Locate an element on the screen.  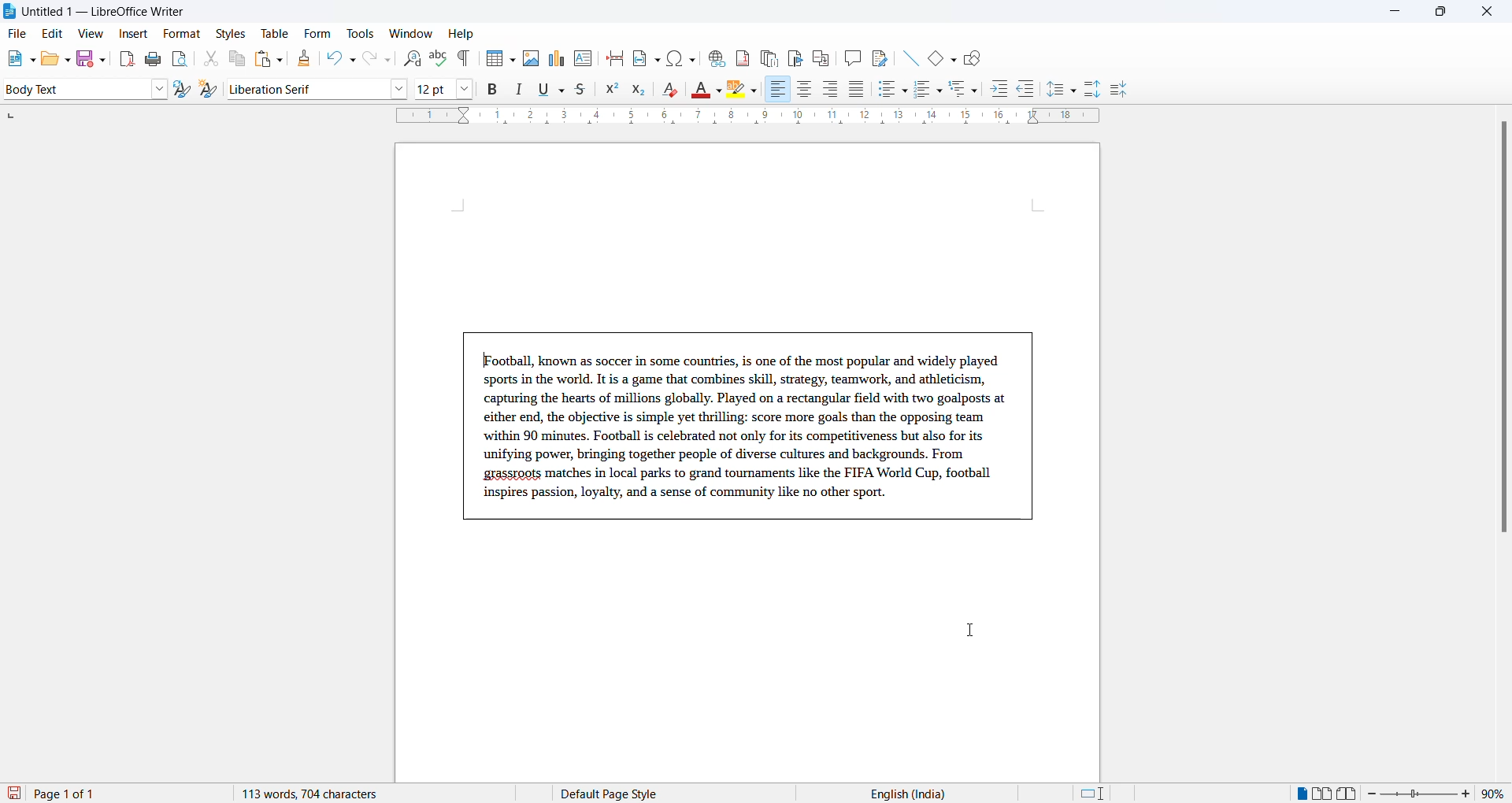
open is located at coordinates (55, 58).